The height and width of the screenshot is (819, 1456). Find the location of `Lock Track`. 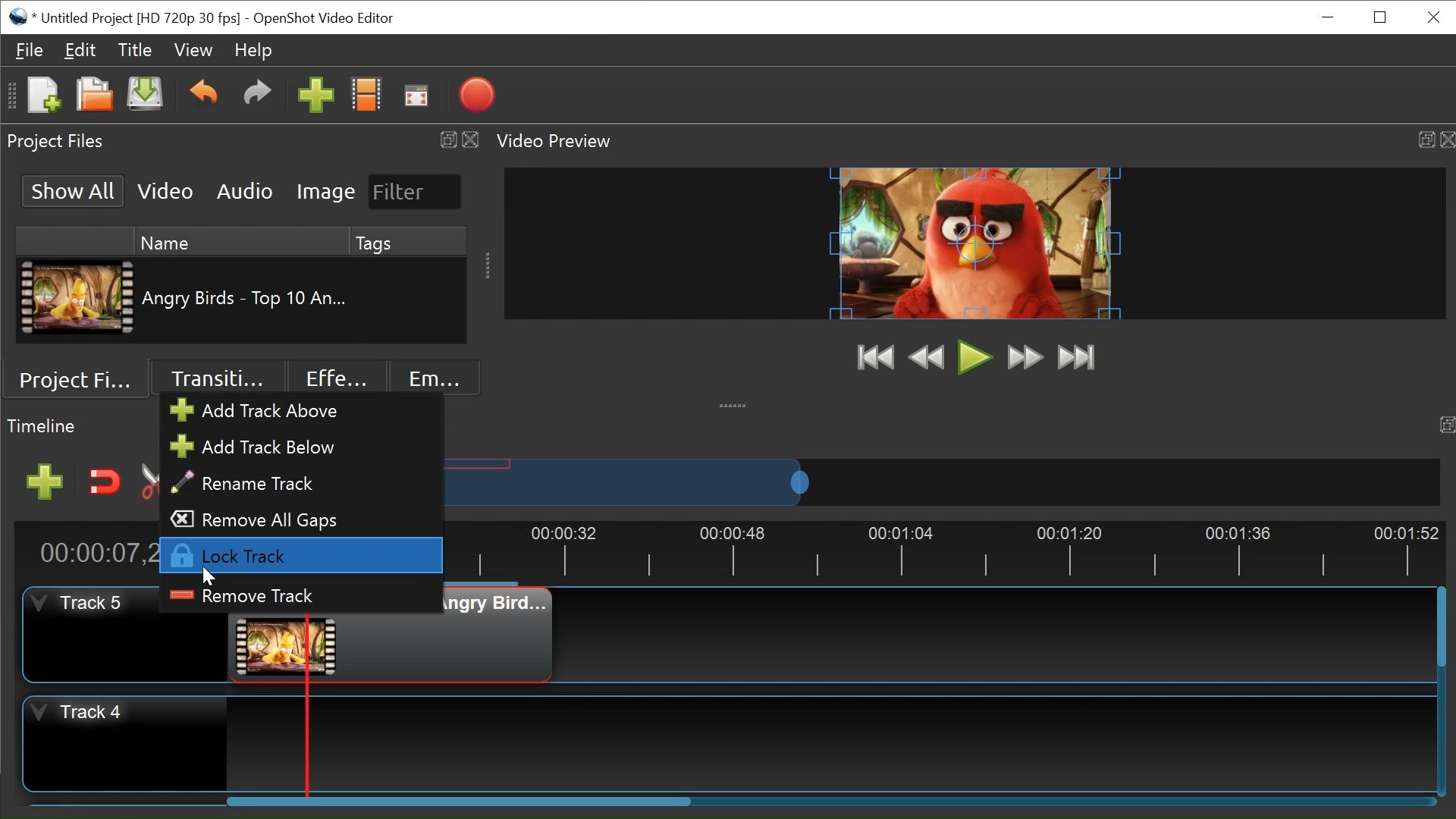

Lock Track is located at coordinates (300, 555).